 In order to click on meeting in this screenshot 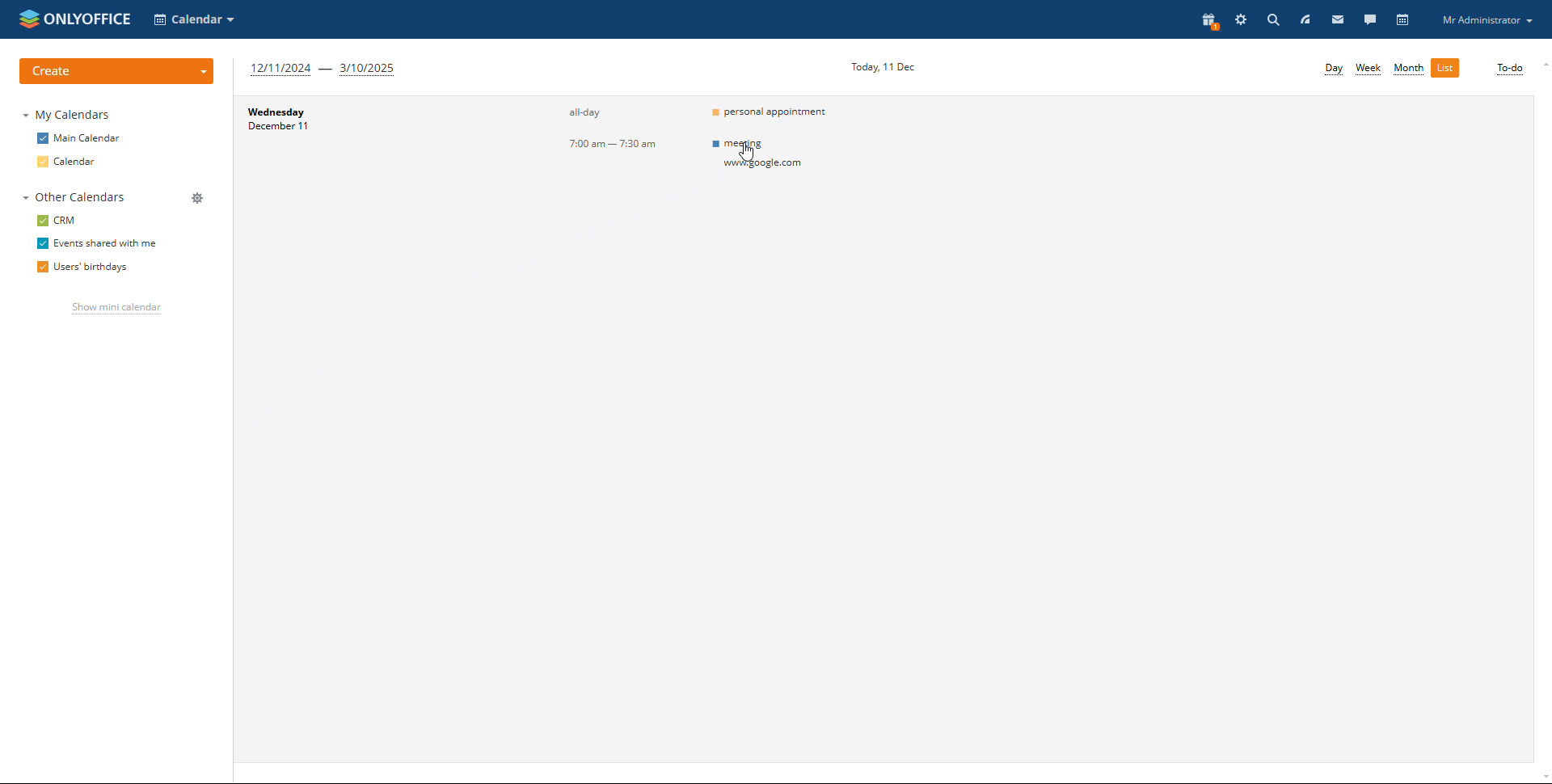, I will do `click(778, 156)`.